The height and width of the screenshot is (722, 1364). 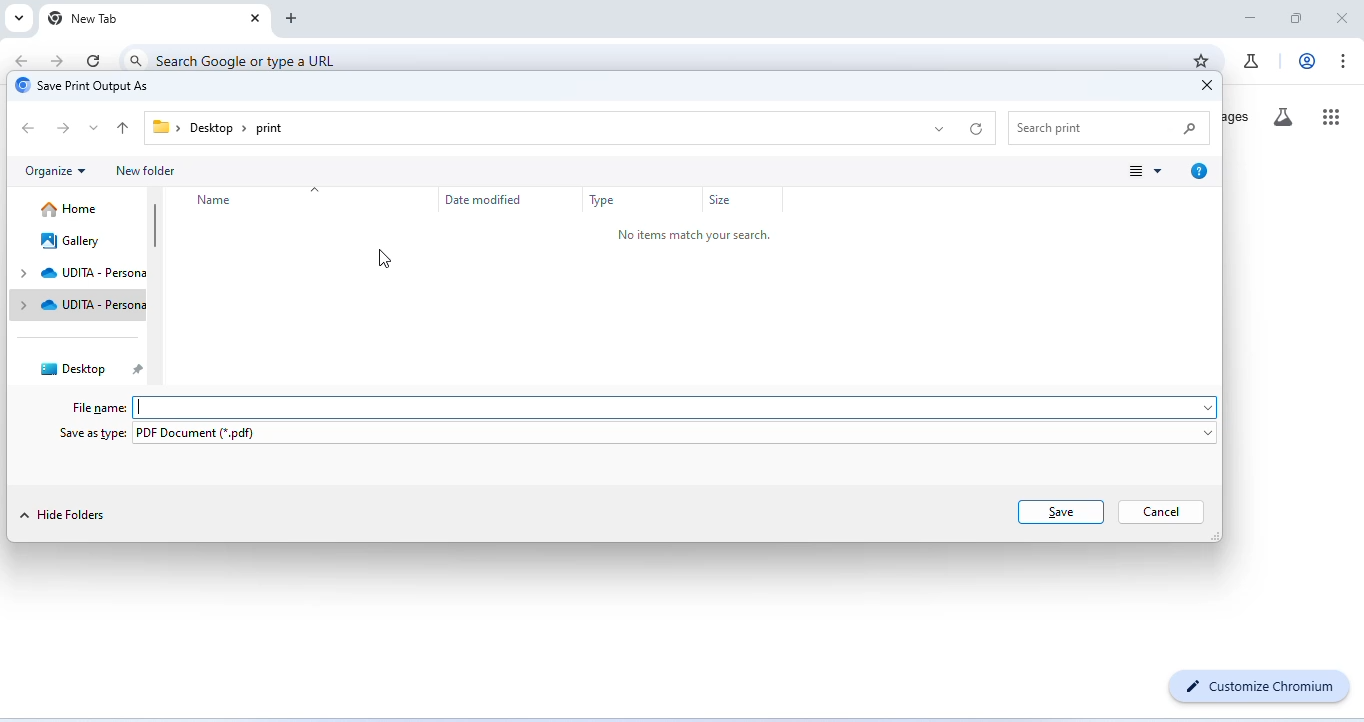 I want to click on save print output as, so click(x=88, y=86).